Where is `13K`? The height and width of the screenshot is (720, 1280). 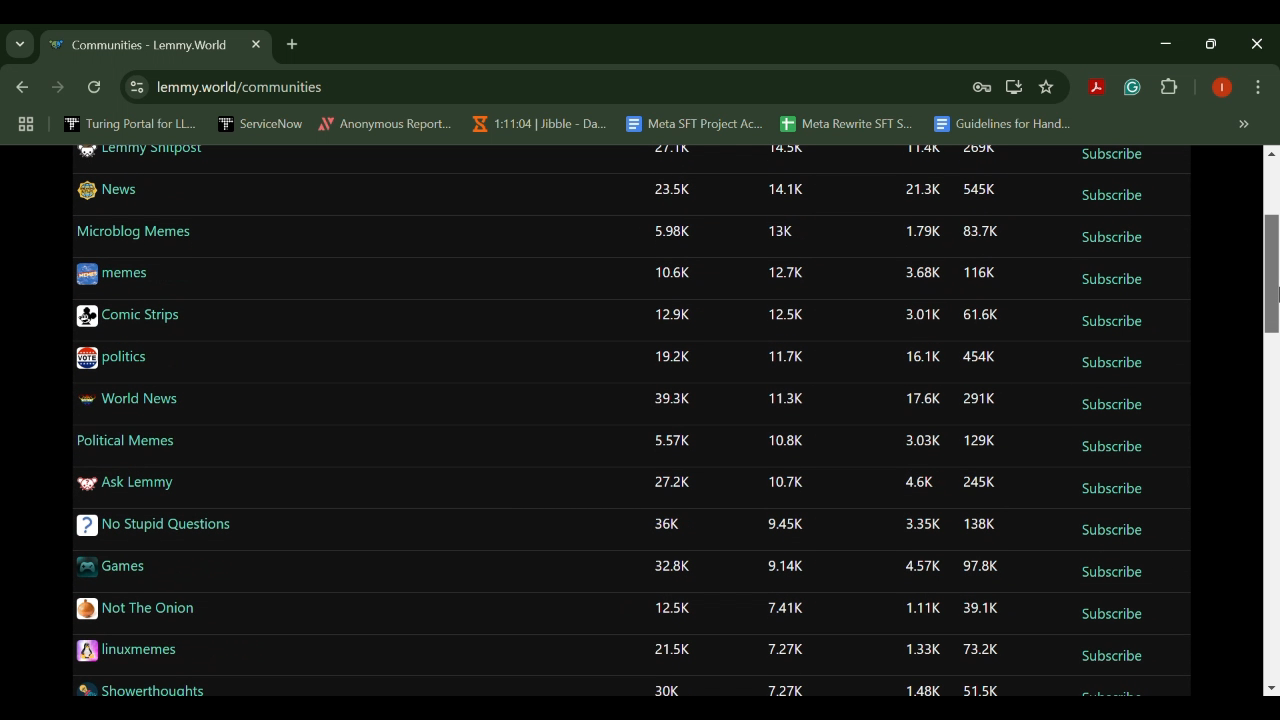 13K is located at coordinates (780, 231).